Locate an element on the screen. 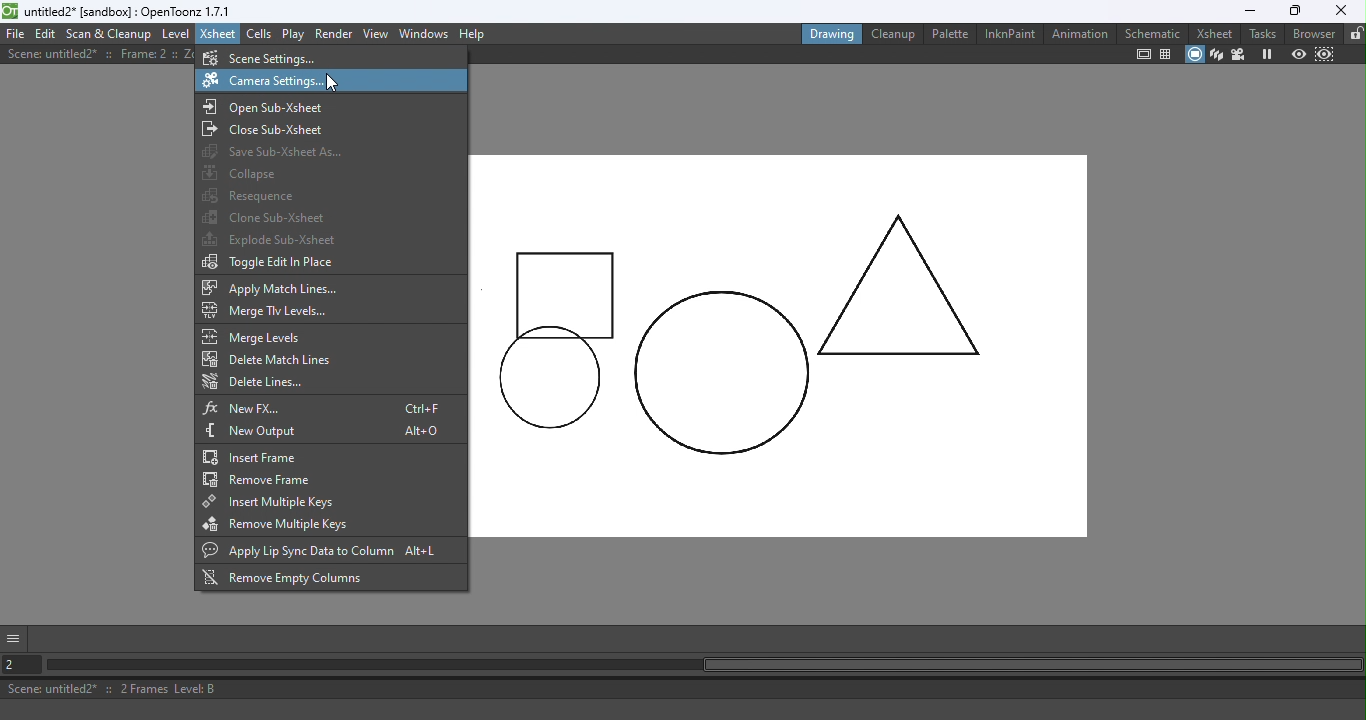 This screenshot has width=1366, height=720. Field guide is located at coordinates (1165, 55).